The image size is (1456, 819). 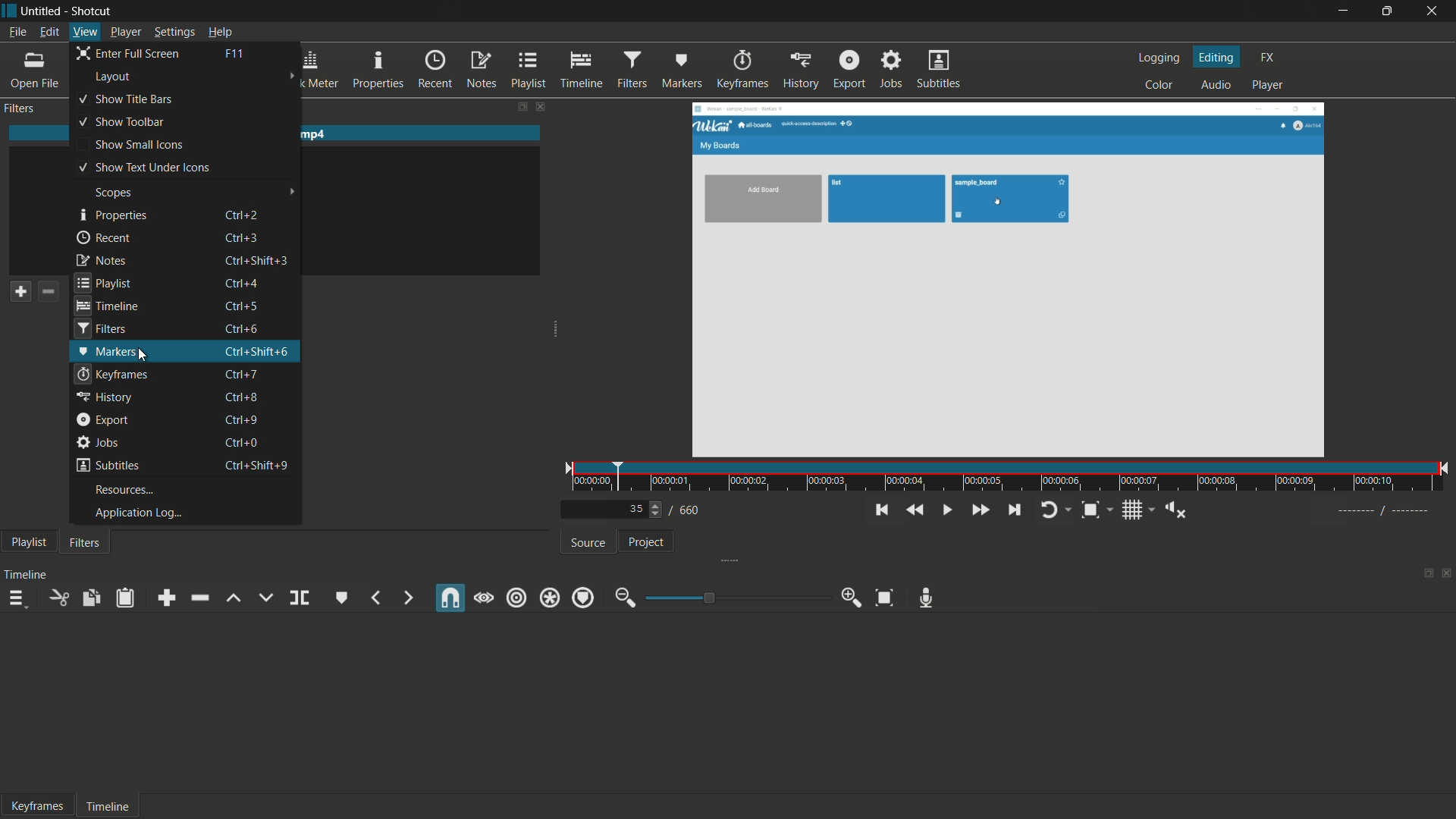 I want to click on notes, so click(x=99, y=261).